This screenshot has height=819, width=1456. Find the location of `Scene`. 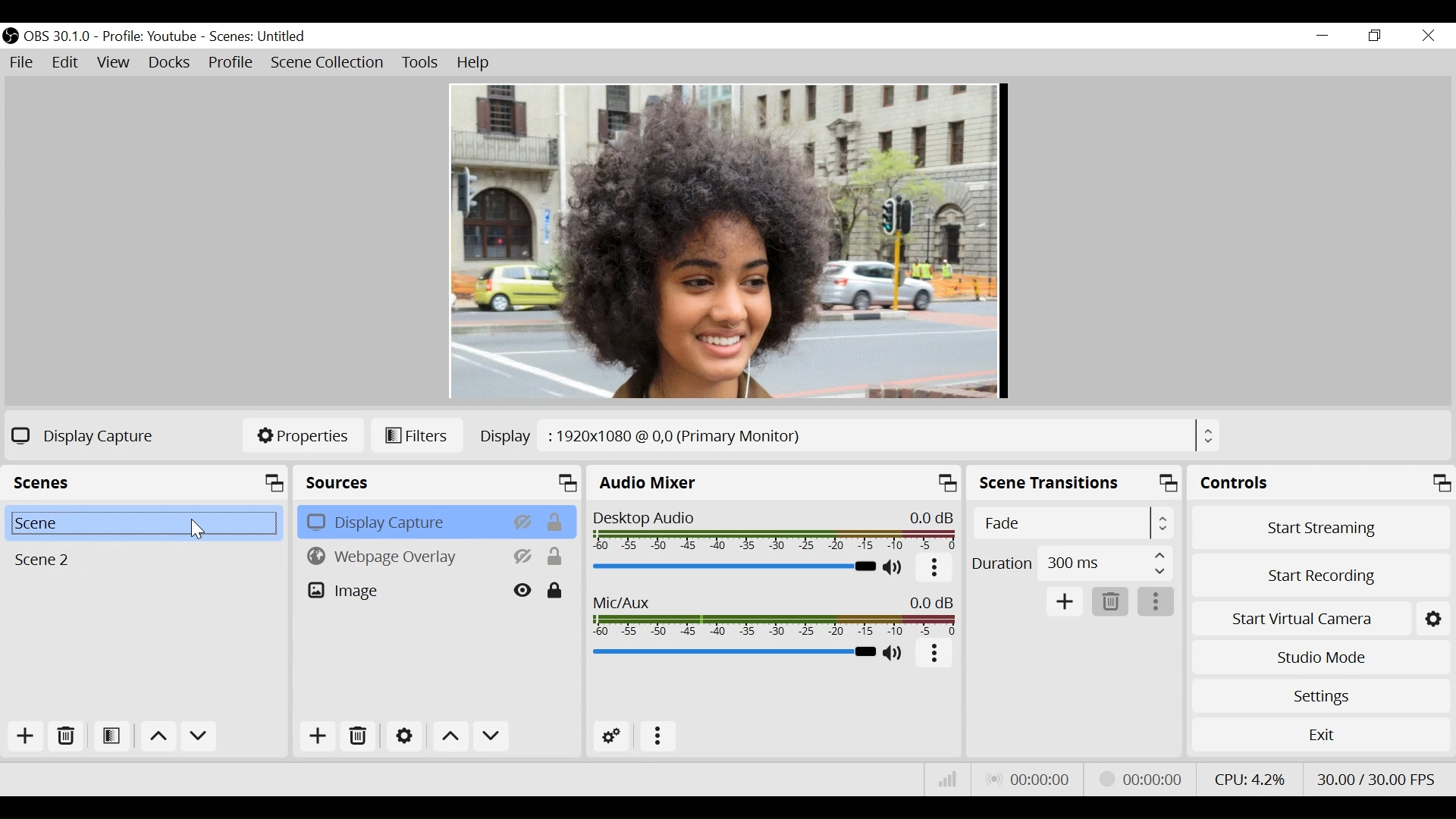

Scene is located at coordinates (148, 481).